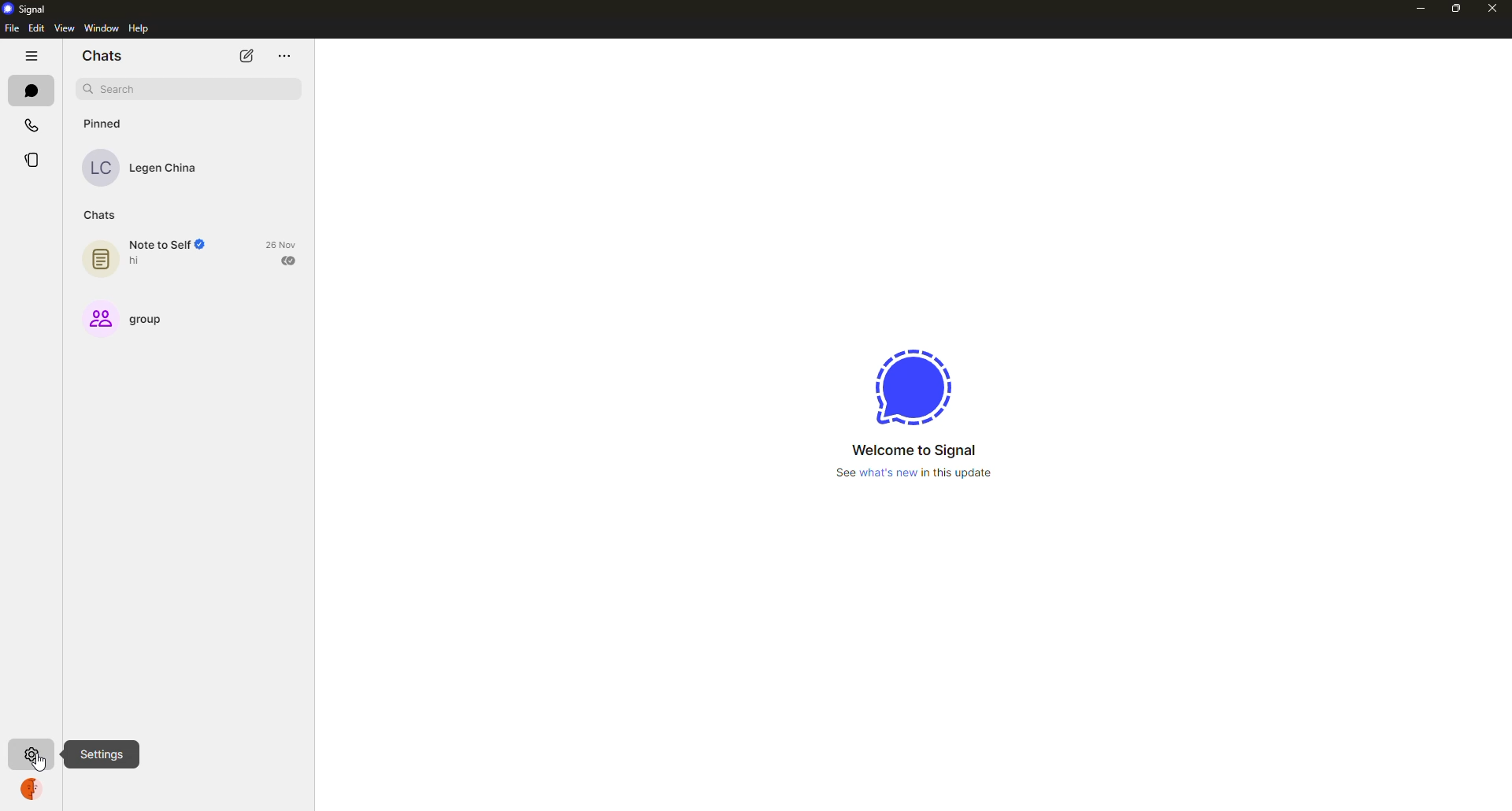  Describe the element at coordinates (33, 124) in the screenshot. I see `calls` at that location.